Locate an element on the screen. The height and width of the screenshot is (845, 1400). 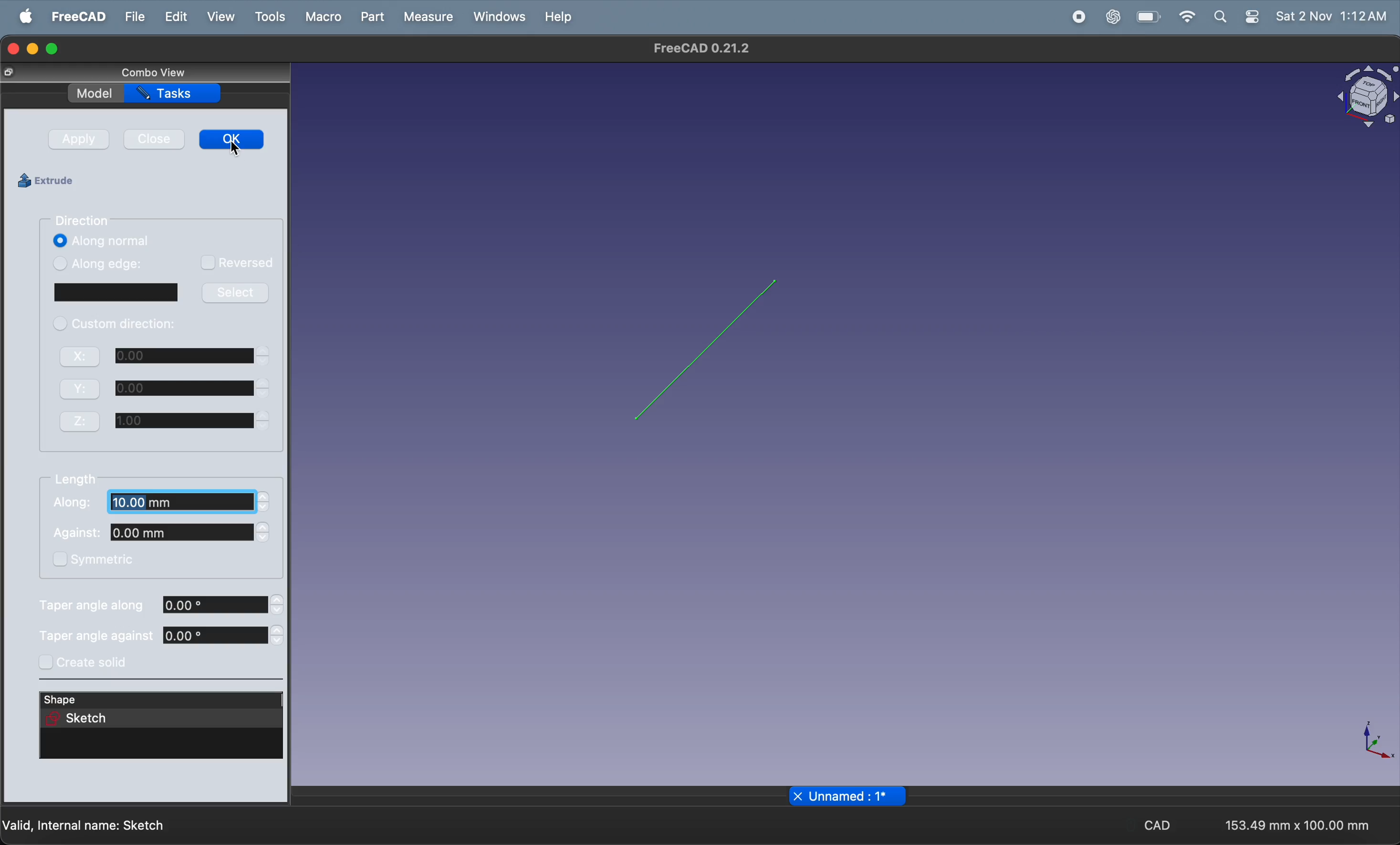
freeCad is located at coordinates (78, 18).